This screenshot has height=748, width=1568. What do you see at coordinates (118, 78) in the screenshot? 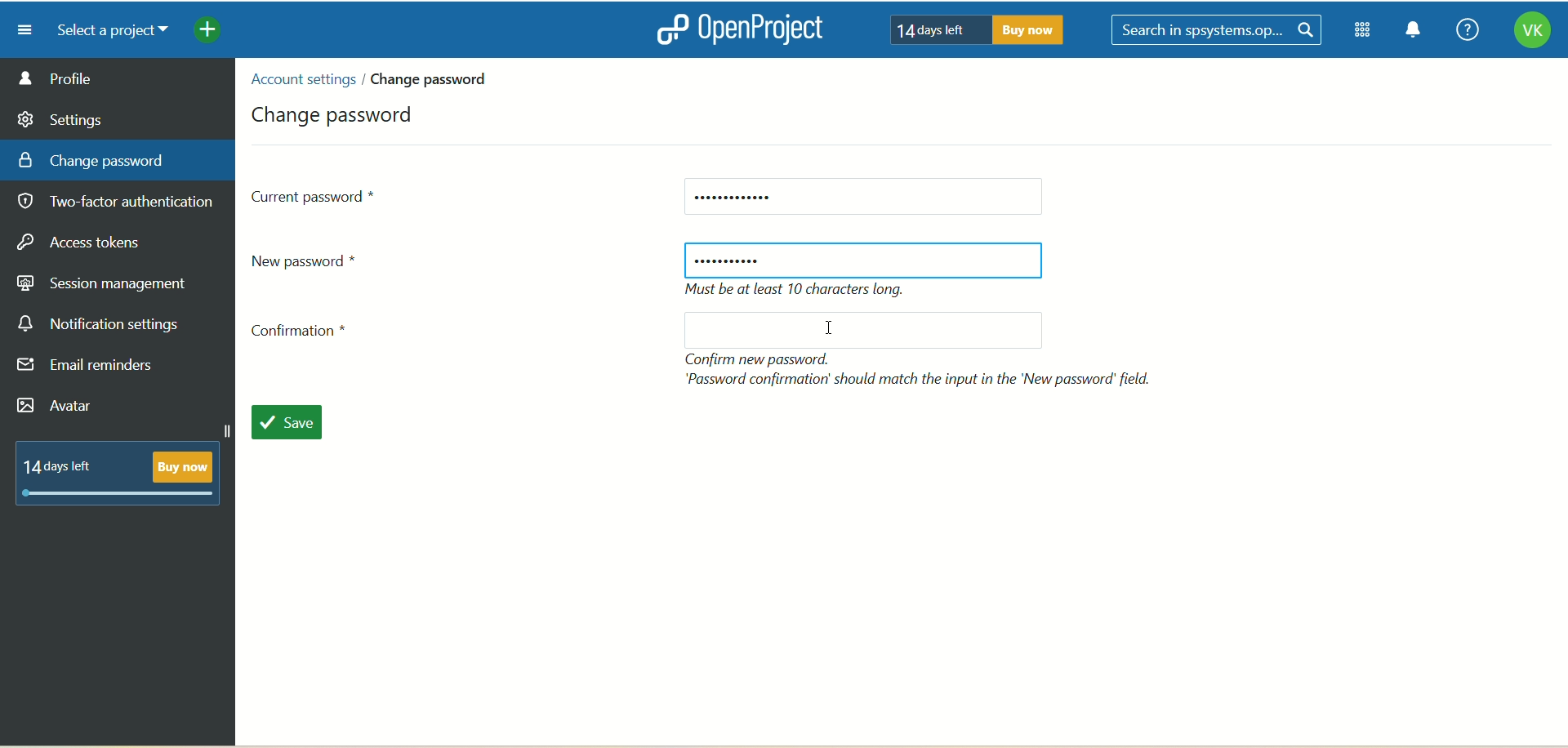
I see `profile` at bounding box center [118, 78].